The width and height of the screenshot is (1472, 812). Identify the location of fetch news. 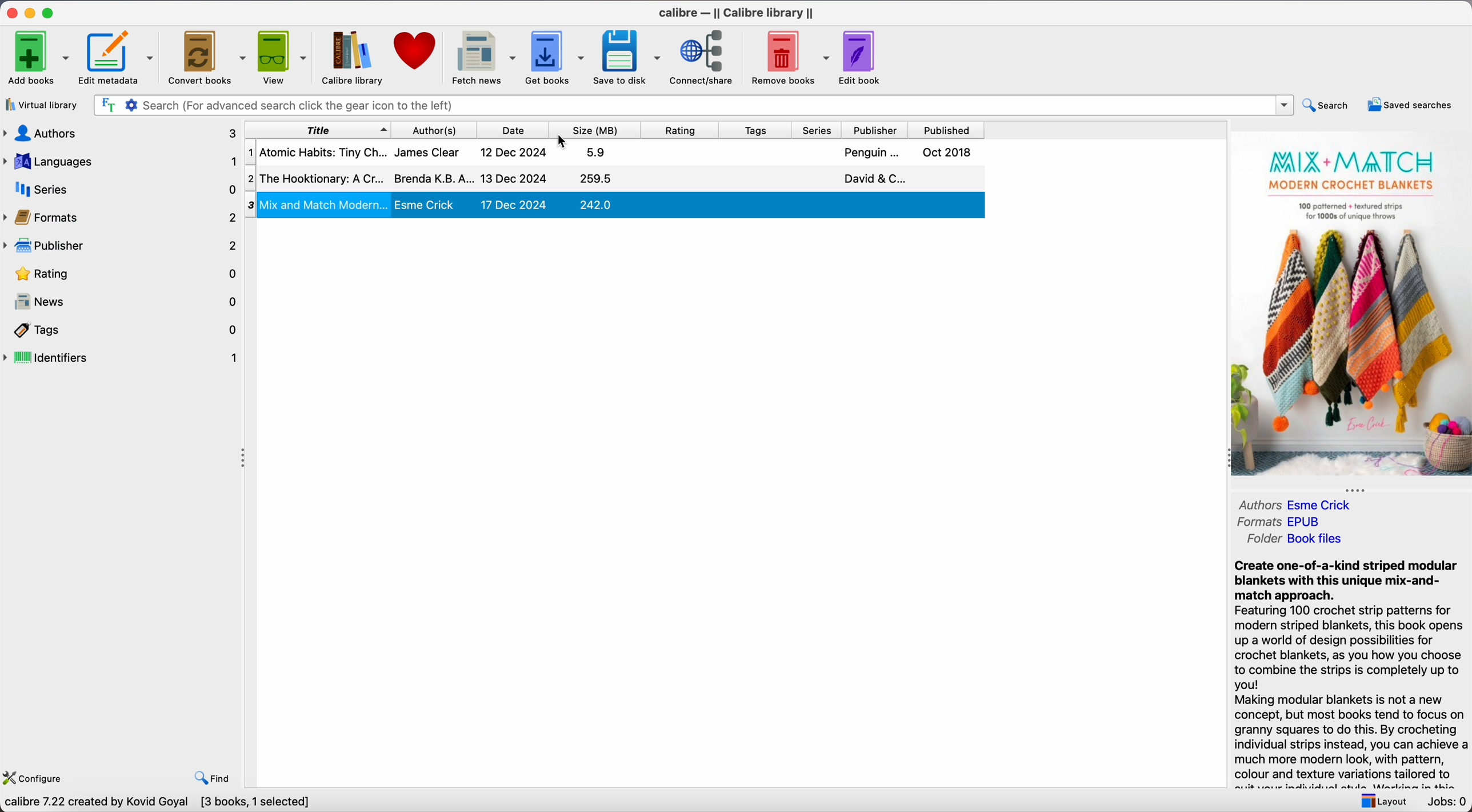
(483, 58).